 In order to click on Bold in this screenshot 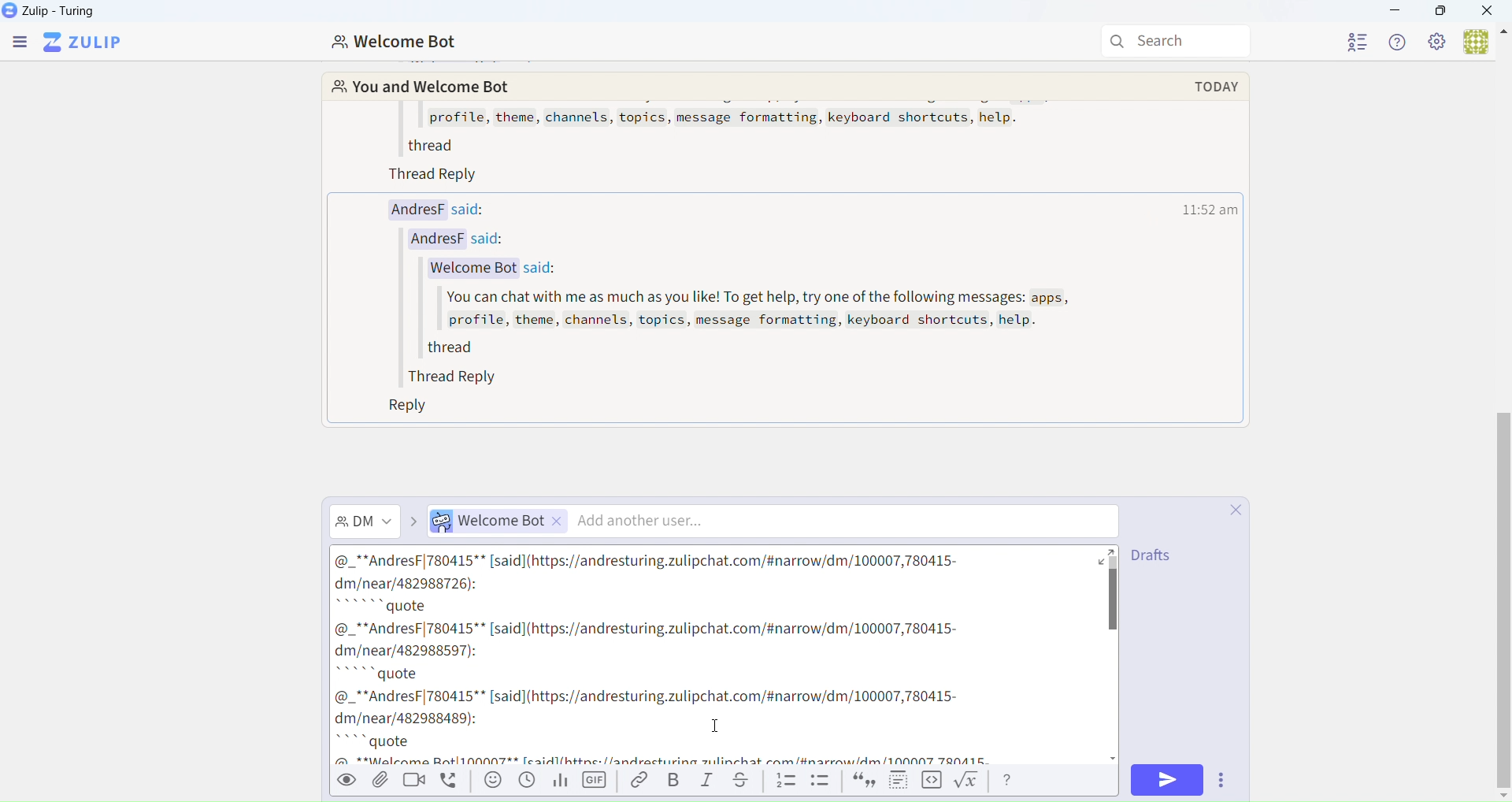, I will do `click(675, 780)`.